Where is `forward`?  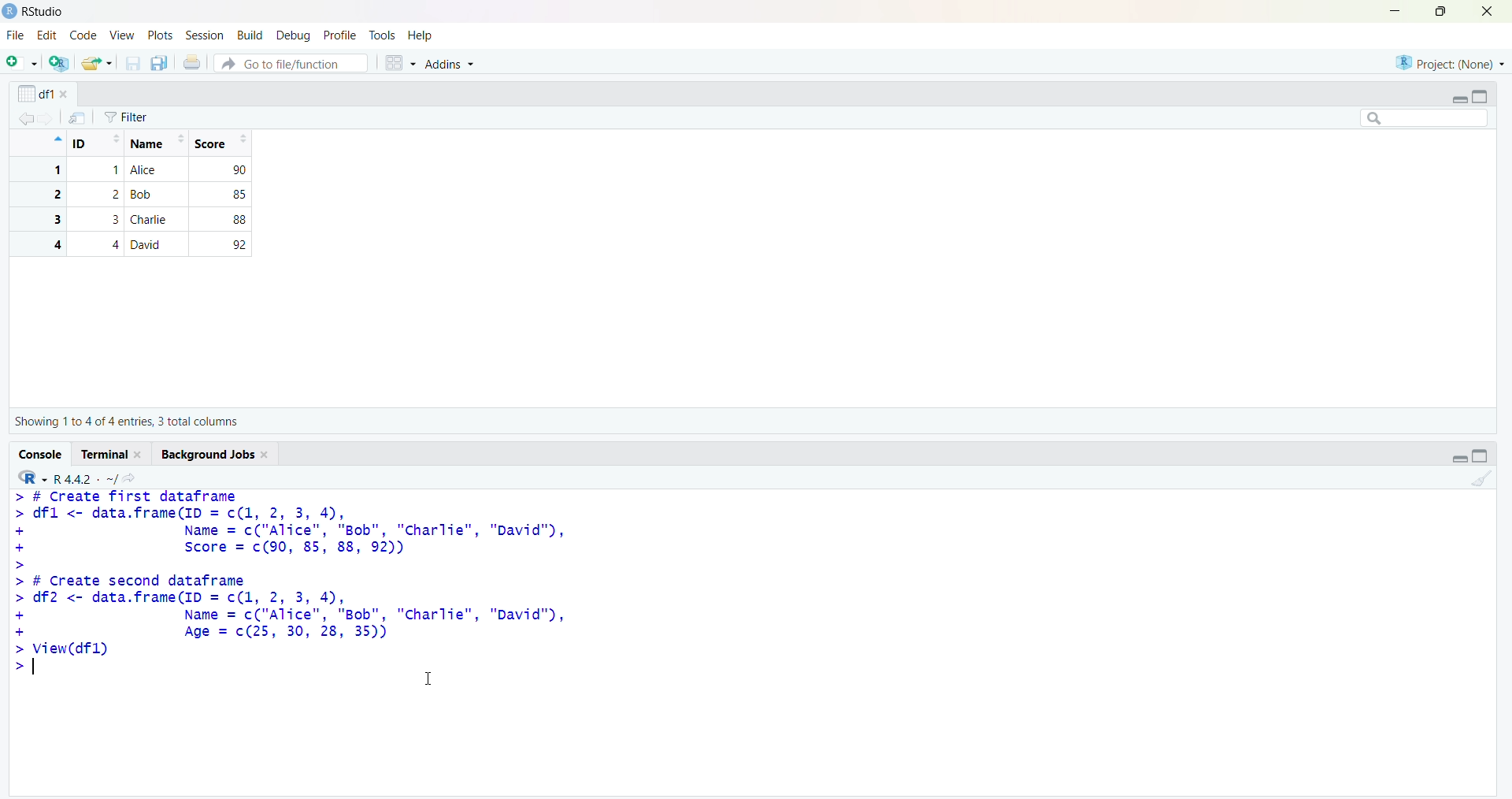
forward is located at coordinates (47, 119).